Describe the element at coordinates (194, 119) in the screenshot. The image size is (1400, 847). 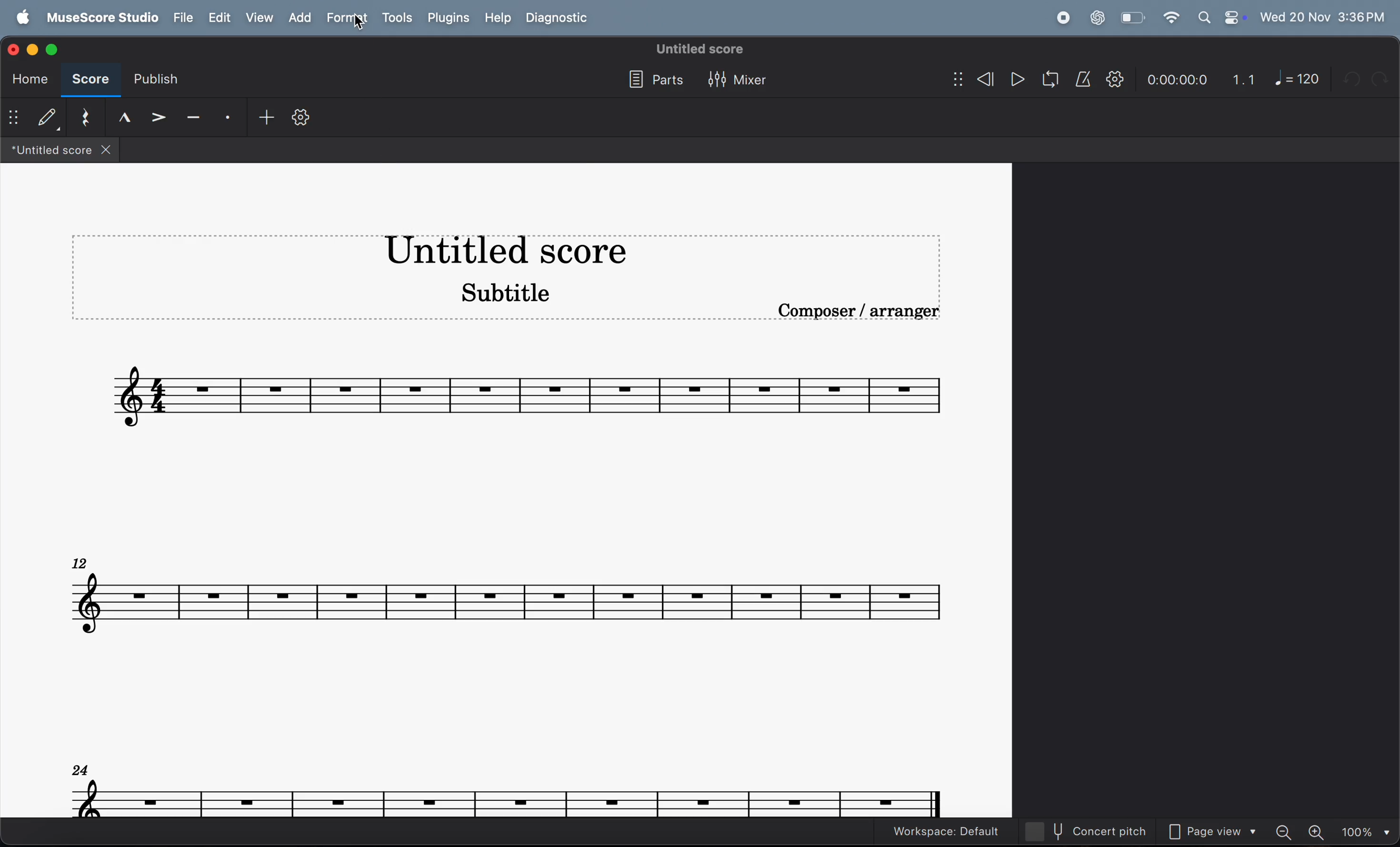
I see `hifen` at that location.